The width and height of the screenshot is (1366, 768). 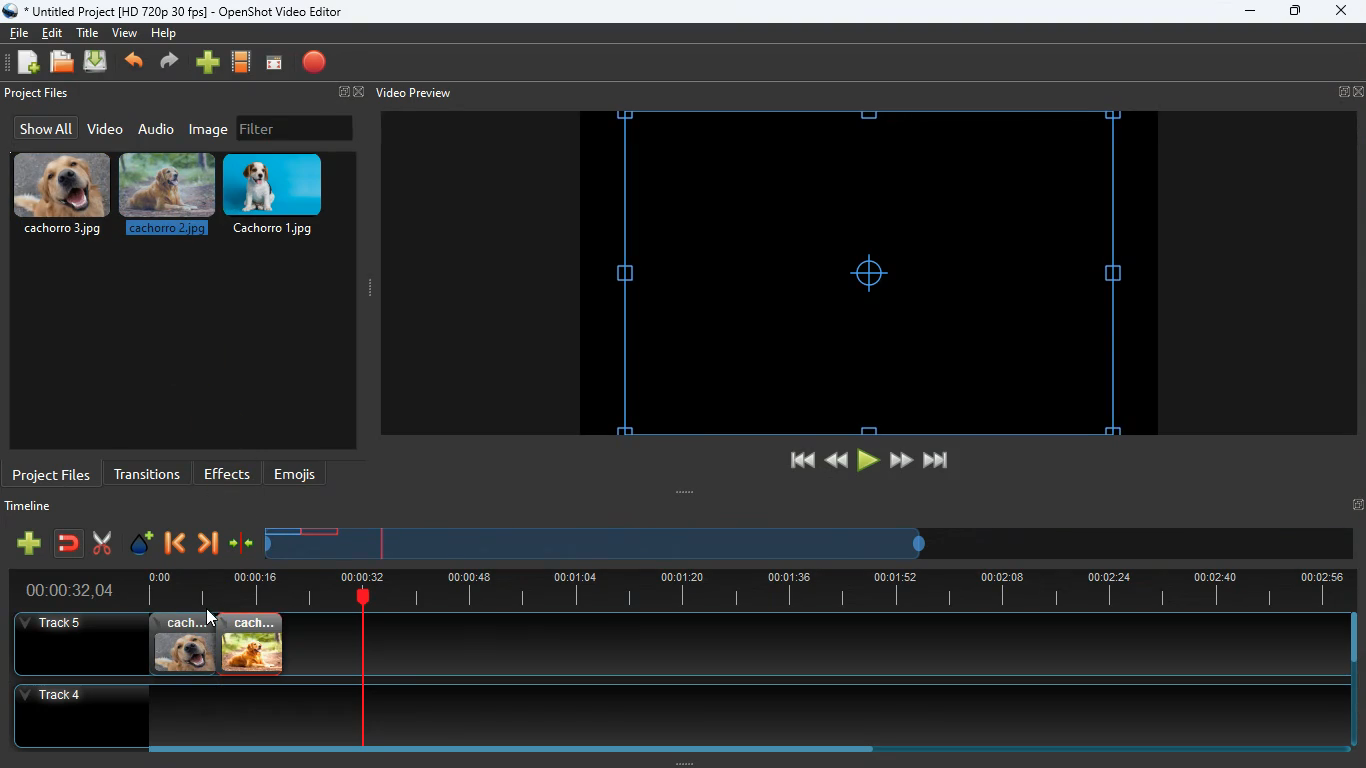 I want to click on track, so click(x=791, y=644).